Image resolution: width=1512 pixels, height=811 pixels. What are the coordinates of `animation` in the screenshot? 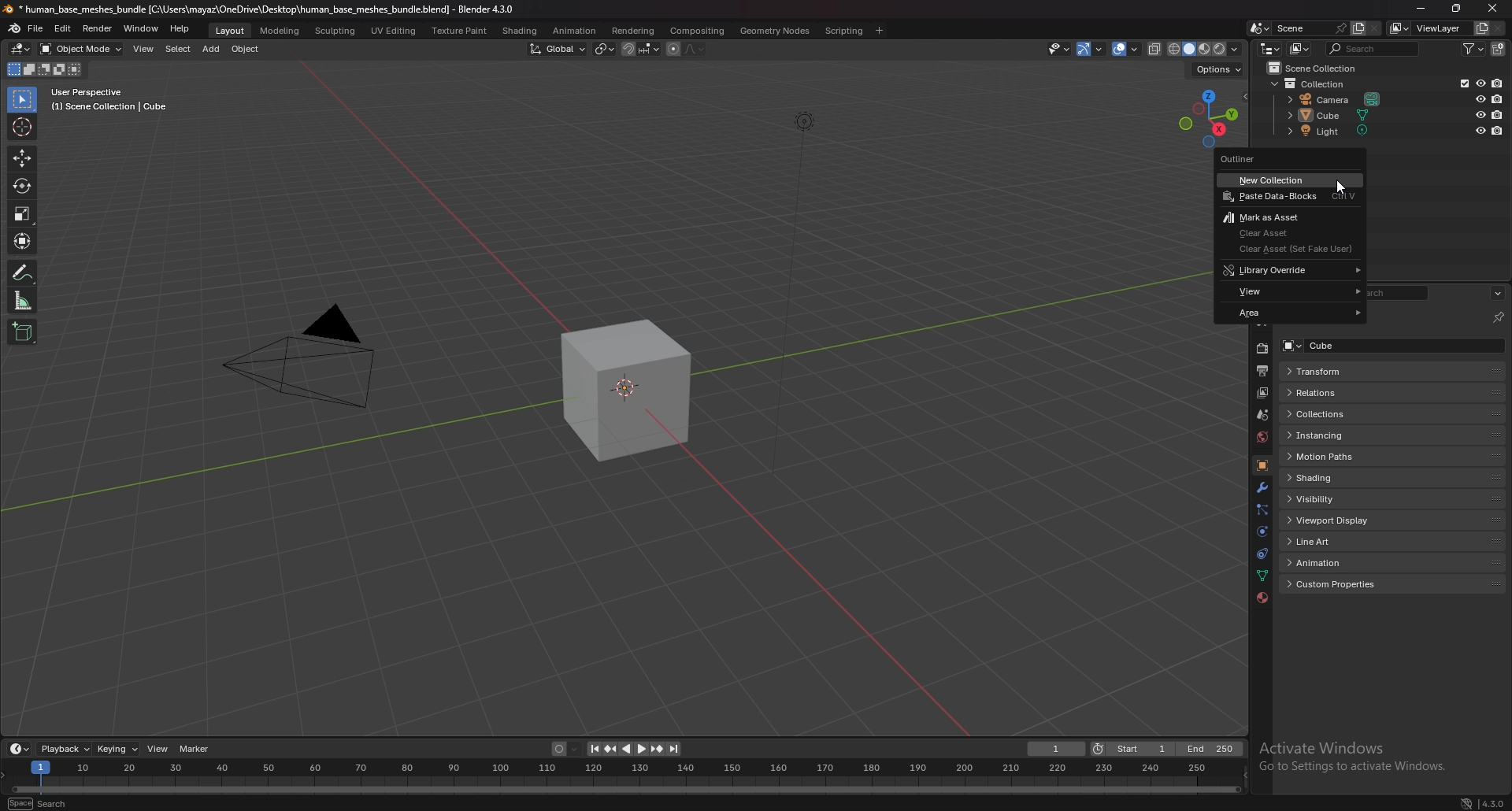 It's located at (1341, 561).